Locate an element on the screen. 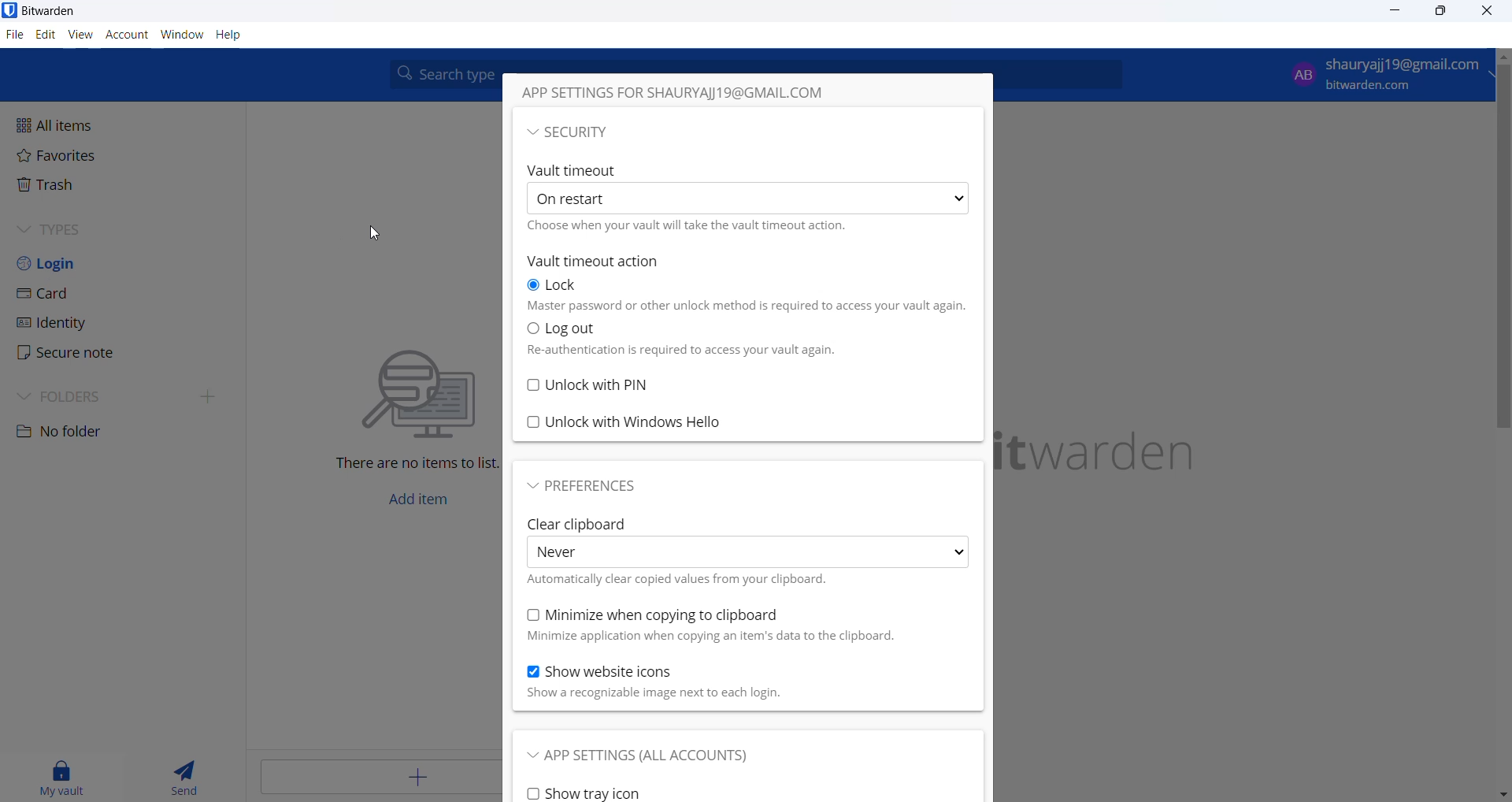 Image resolution: width=1512 pixels, height=802 pixels. vault timeout action is located at coordinates (603, 263).